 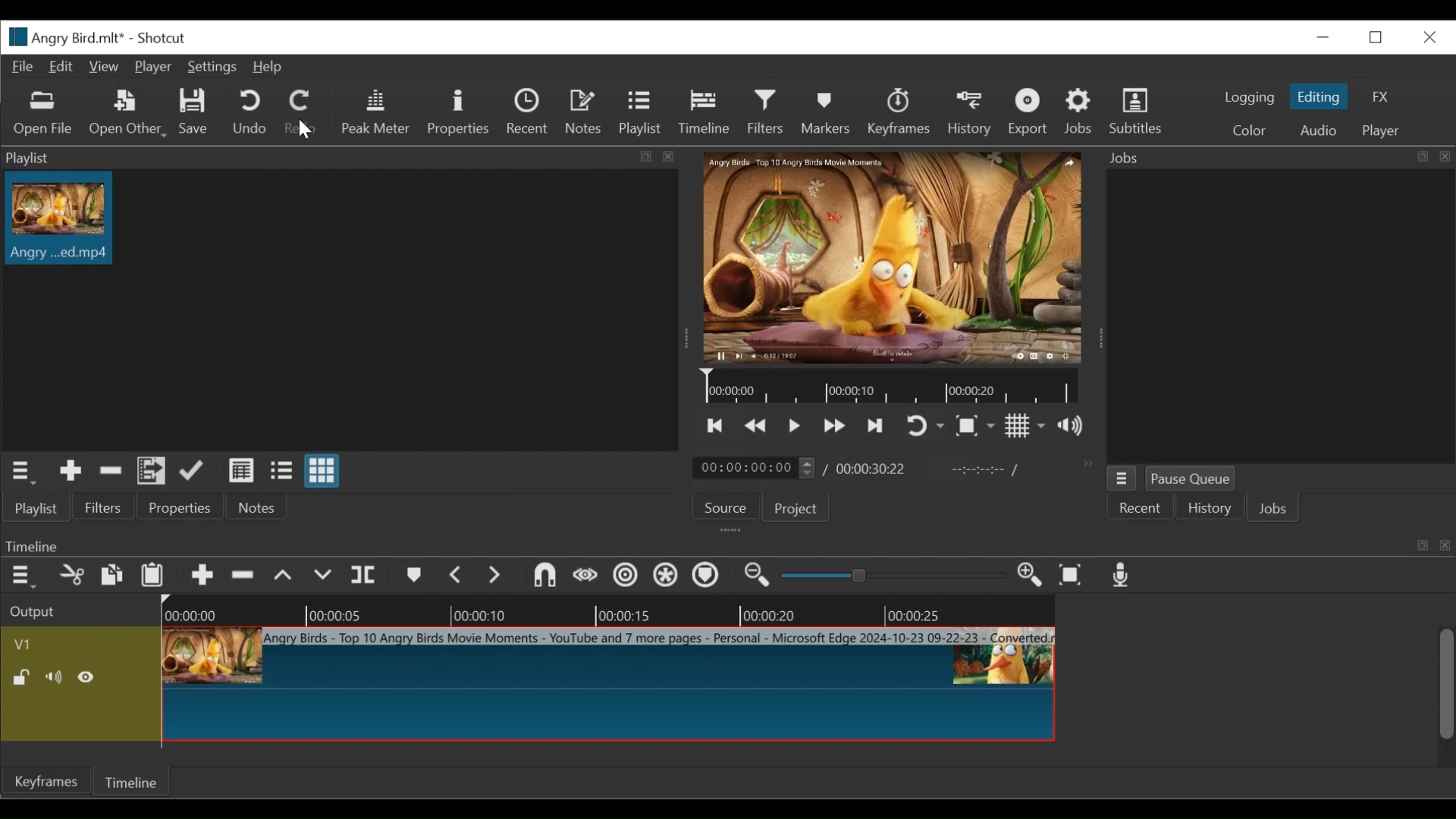 What do you see at coordinates (1025, 425) in the screenshot?
I see `Toggle display grid on the player` at bounding box center [1025, 425].